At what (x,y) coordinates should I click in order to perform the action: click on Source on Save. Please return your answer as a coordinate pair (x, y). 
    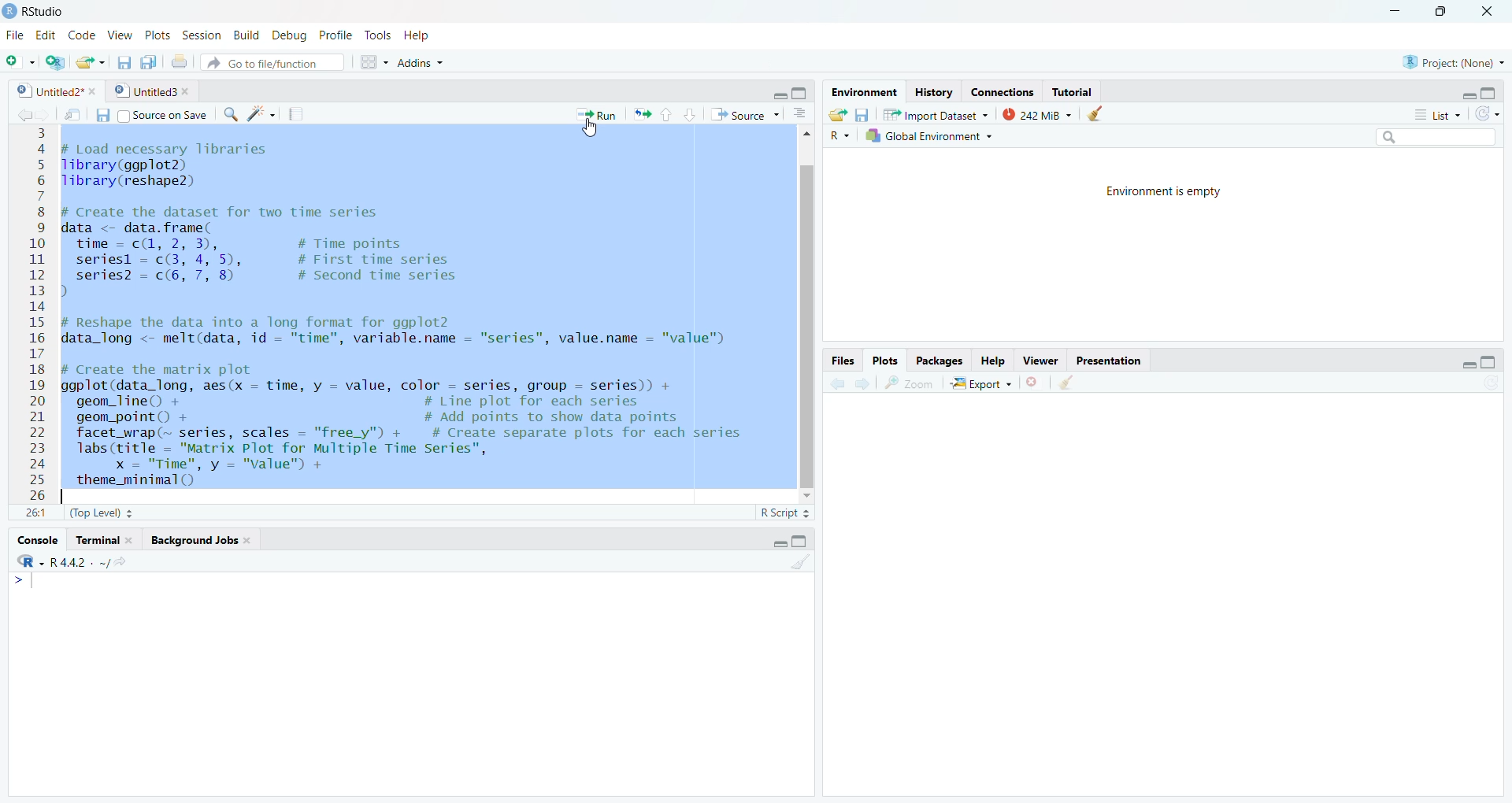
    Looking at the image, I should click on (151, 114).